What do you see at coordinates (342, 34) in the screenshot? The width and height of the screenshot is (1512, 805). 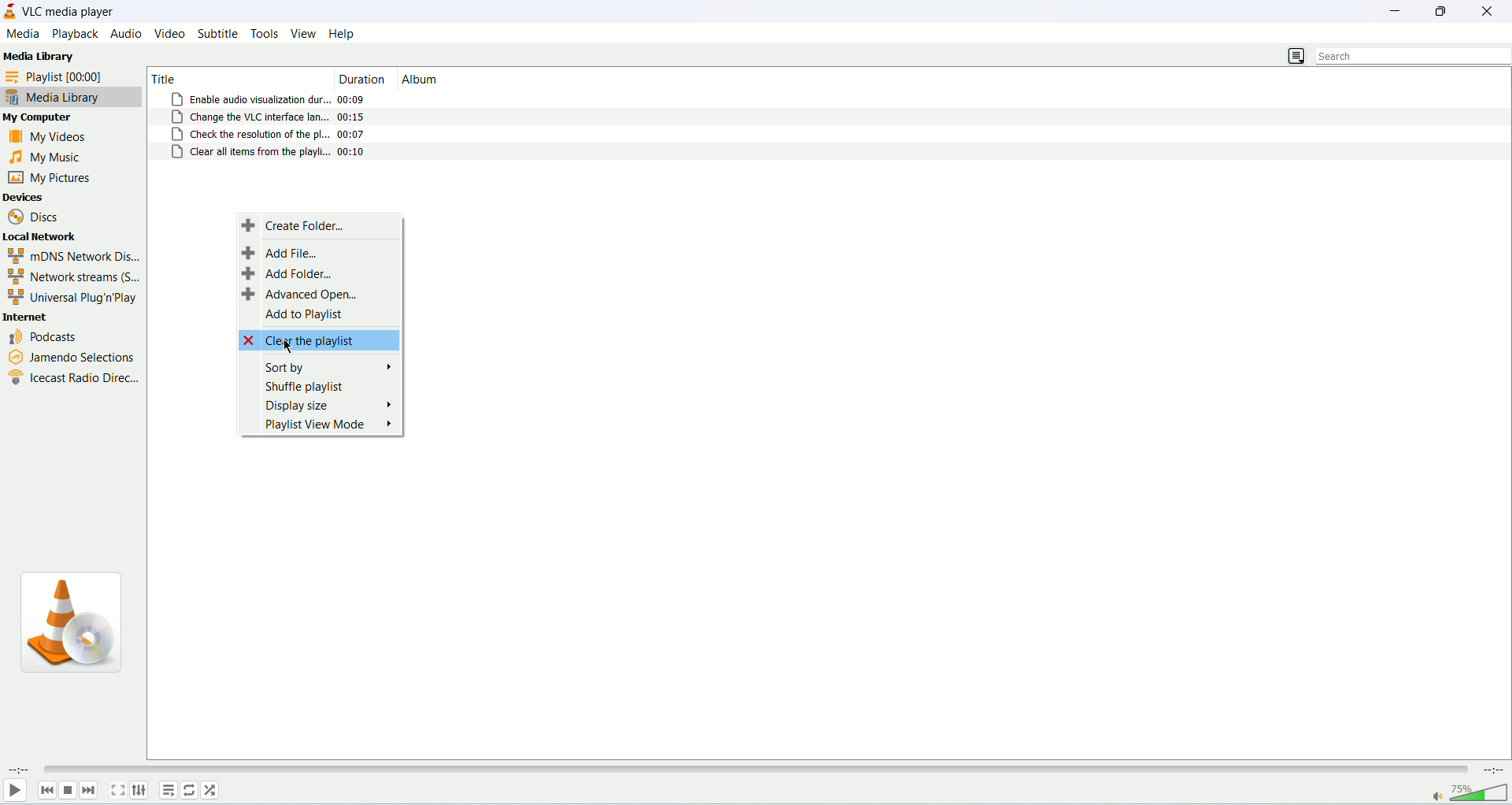 I see `help` at bounding box center [342, 34].